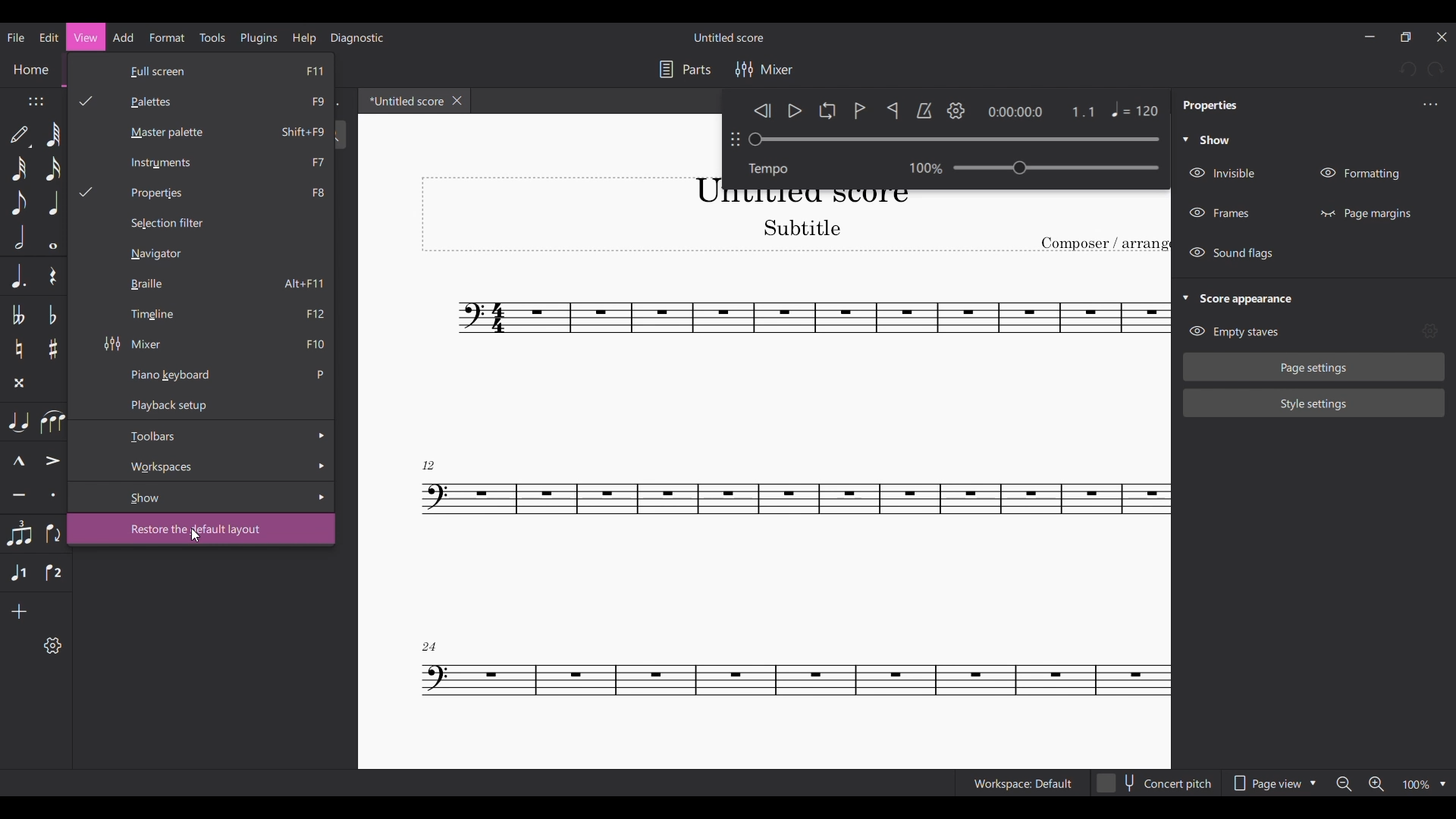  What do you see at coordinates (54, 168) in the screenshot?
I see `16th note` at bounding box center [54, 168].